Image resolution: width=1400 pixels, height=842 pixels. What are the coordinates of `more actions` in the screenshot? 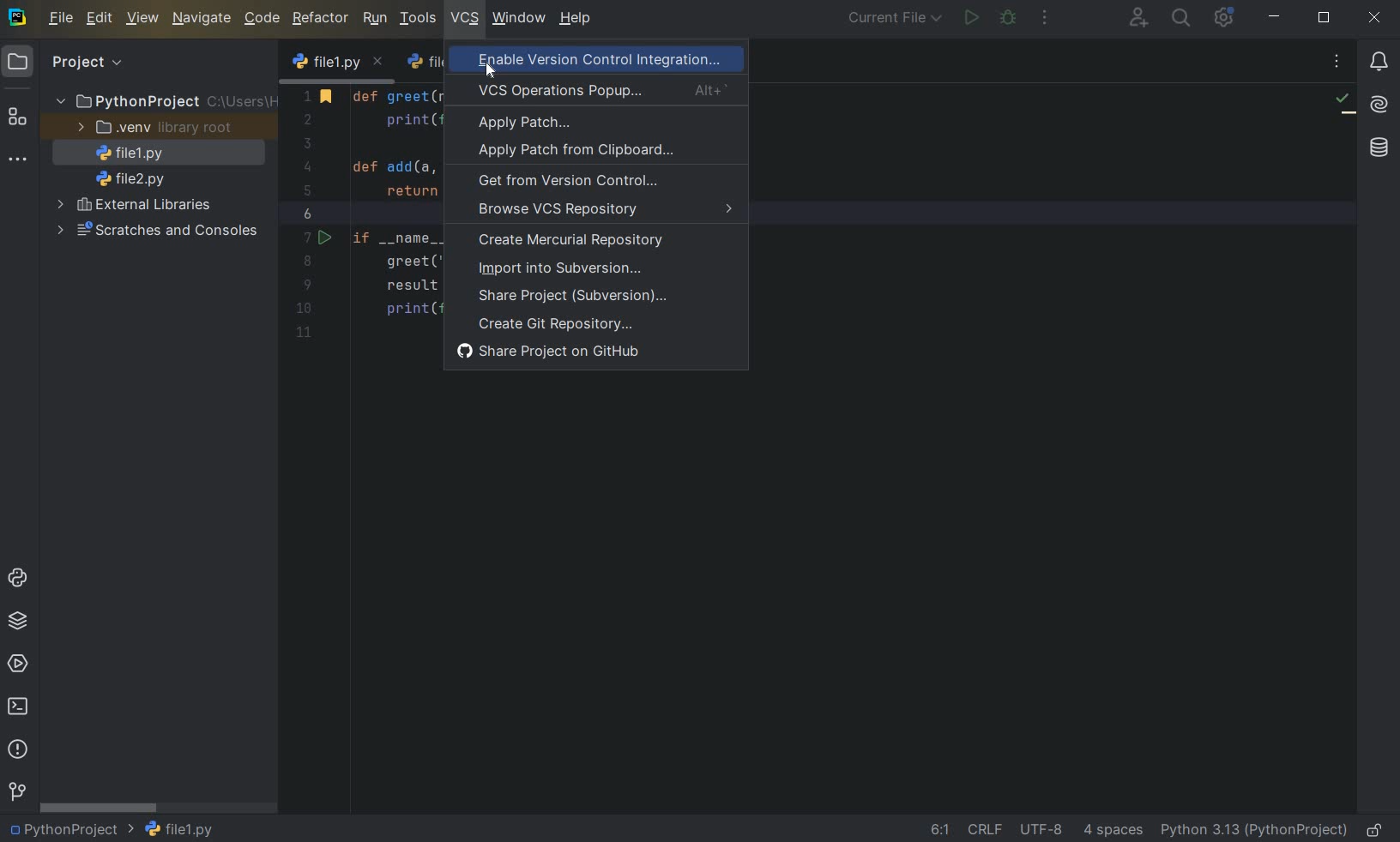 It's located at (1043, 19).